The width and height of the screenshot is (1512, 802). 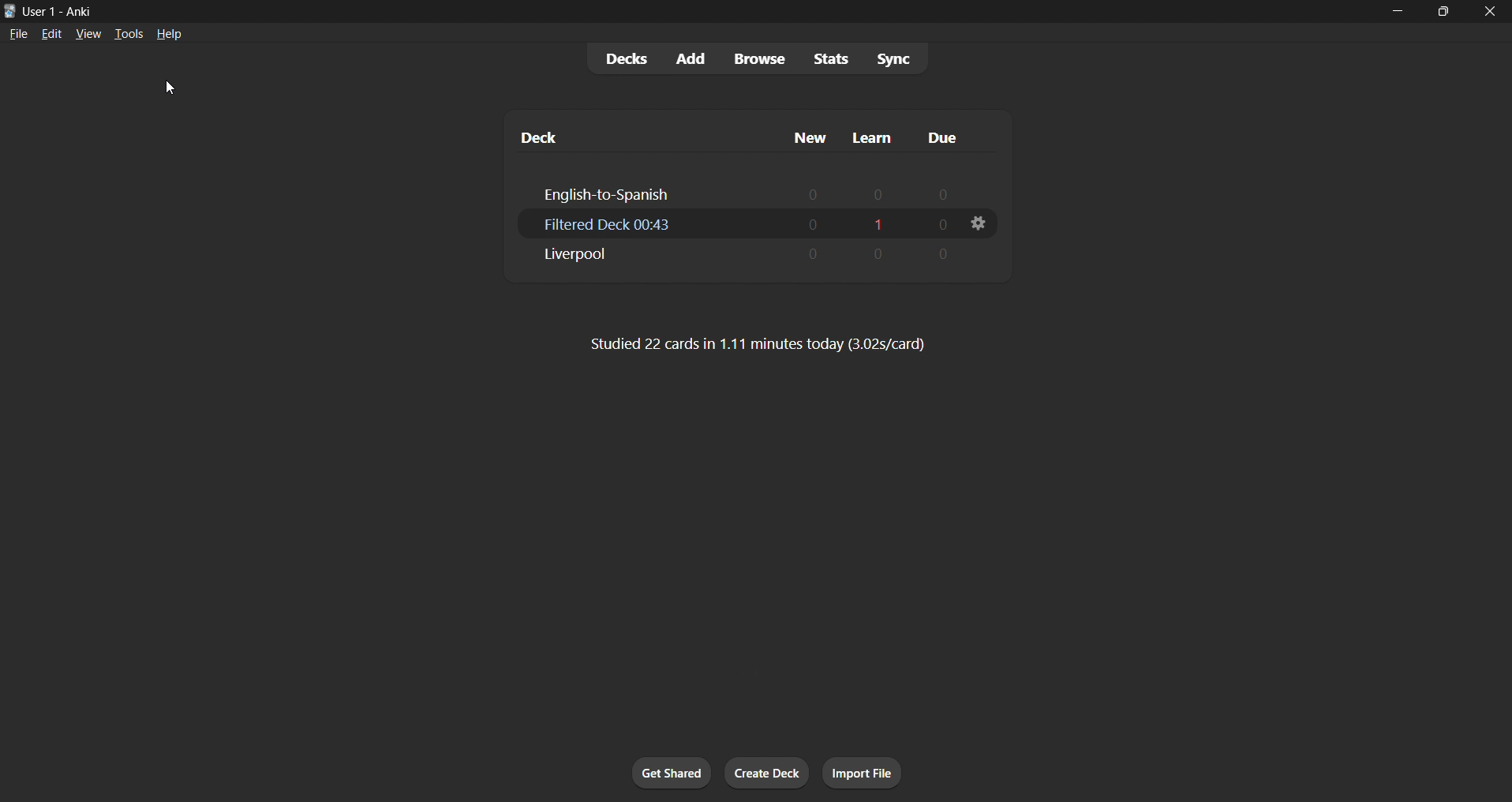 I want to click on cursor, so click(x=168, y=88).